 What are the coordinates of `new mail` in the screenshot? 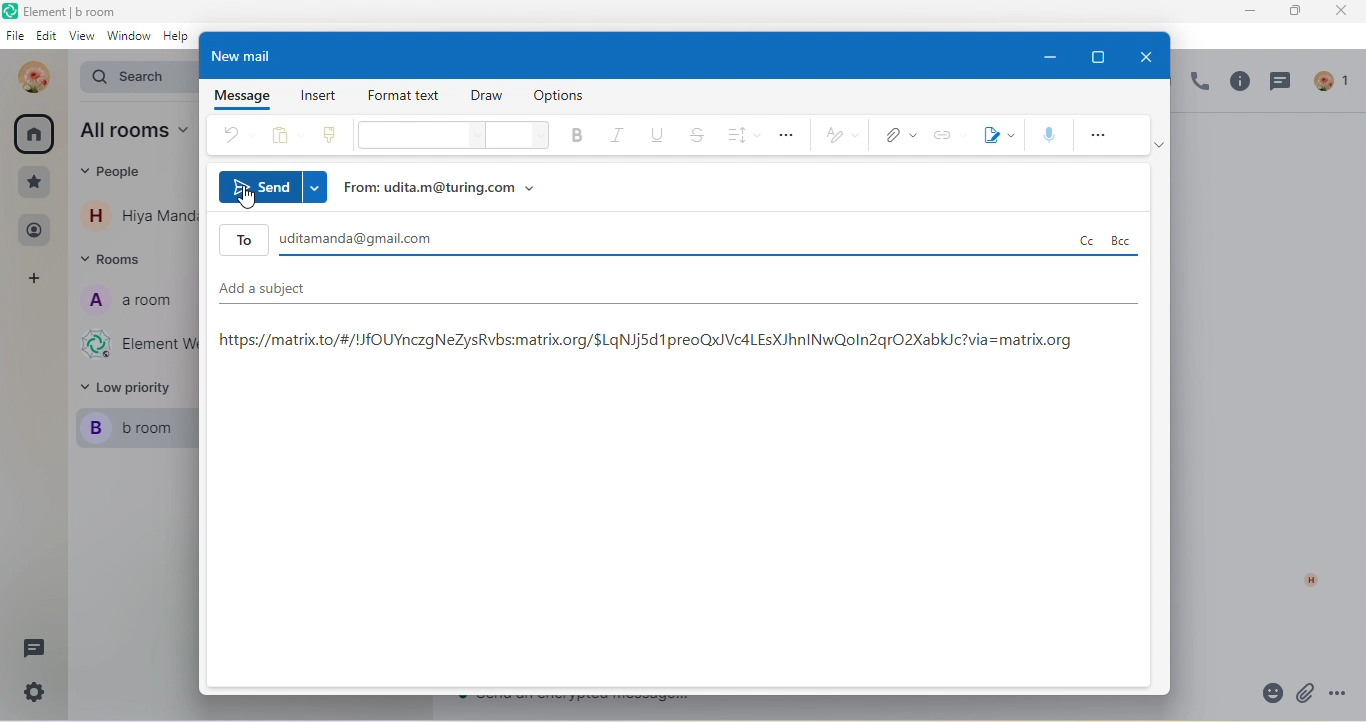 It's located at (252, 55).